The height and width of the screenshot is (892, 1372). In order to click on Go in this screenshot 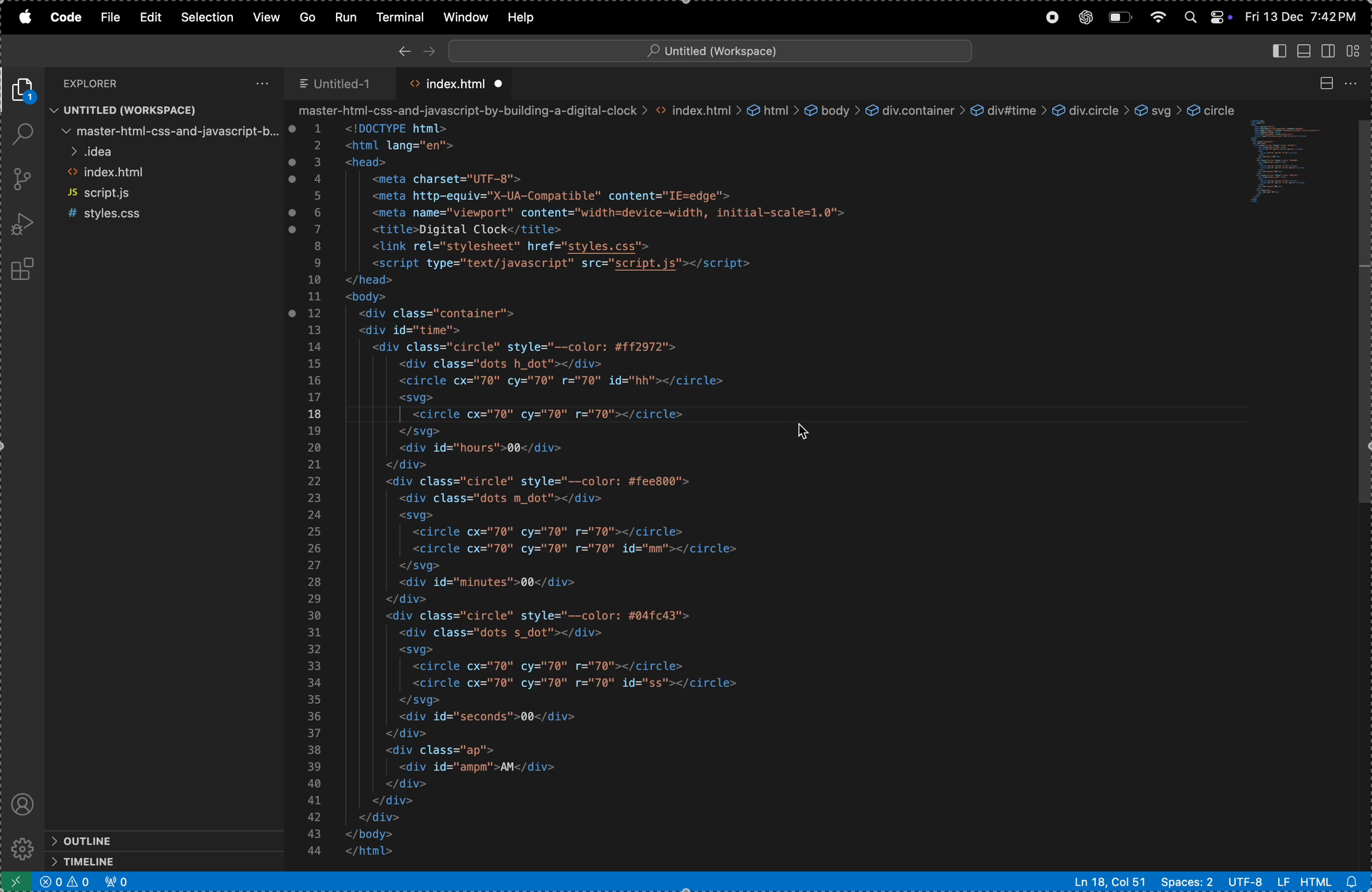, I will do `click(310, 17)`.